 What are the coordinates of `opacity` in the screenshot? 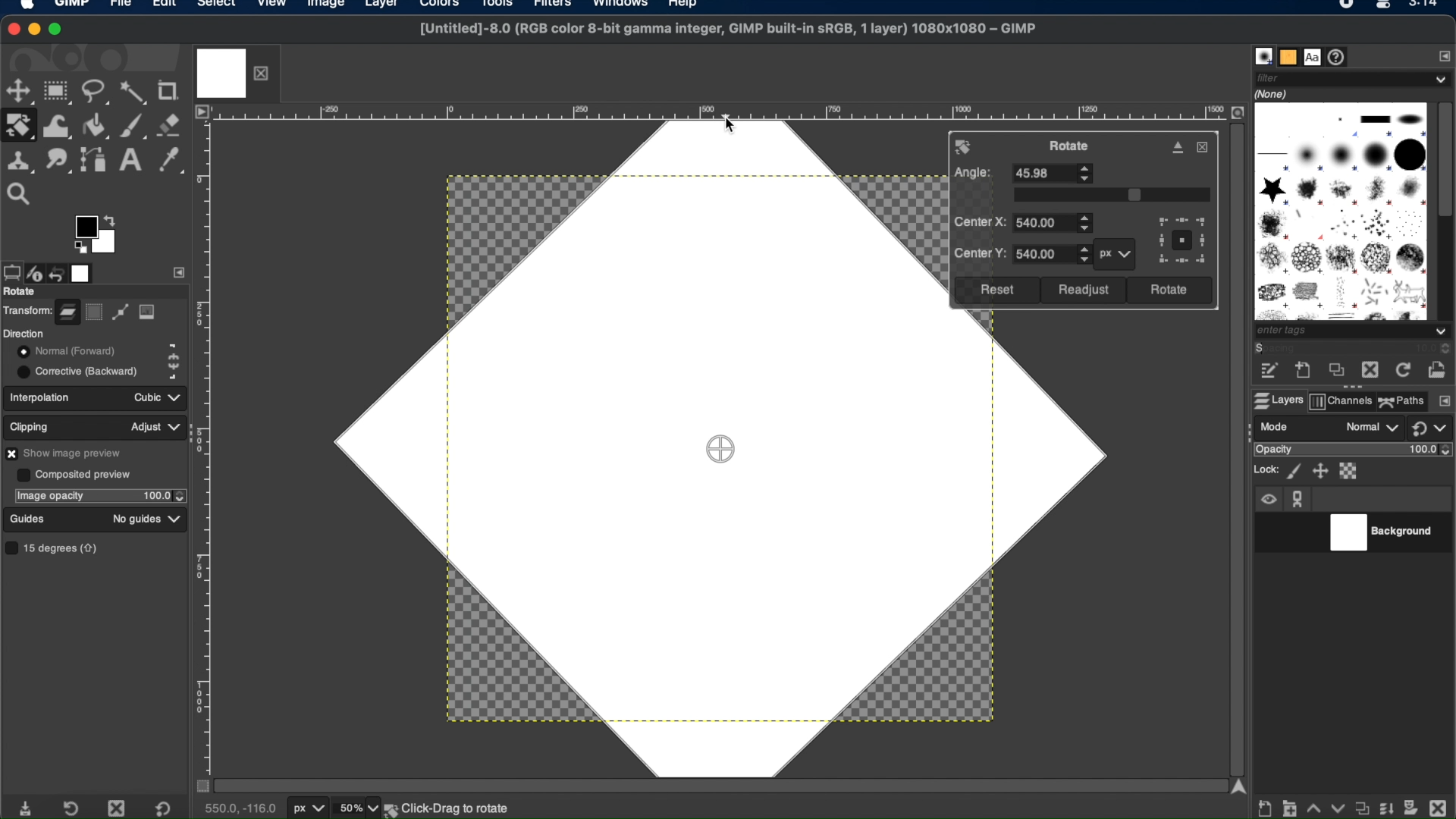 It's located at (1273, 450).